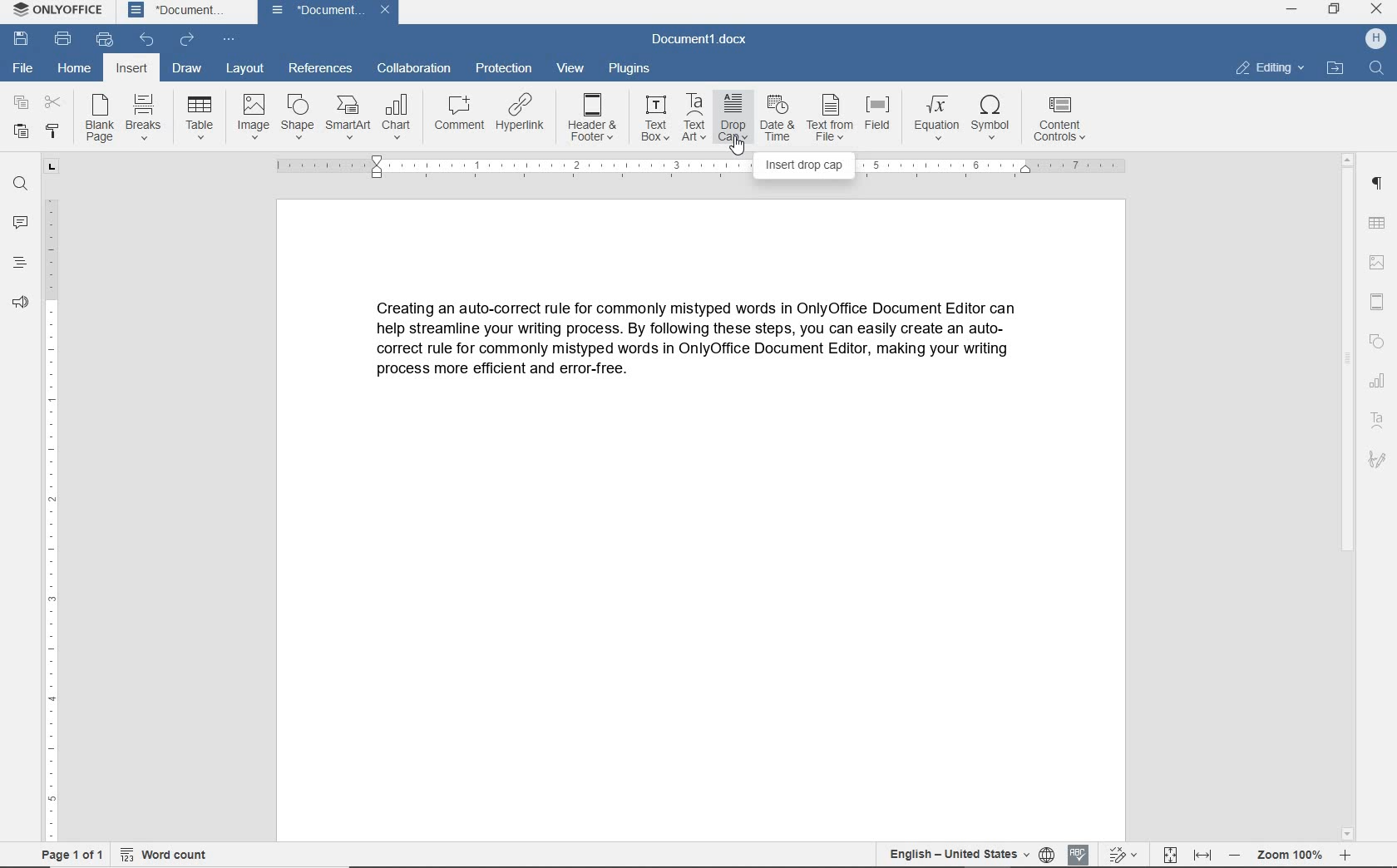 This screenshot has width=1397, height=868. Describe the element at coordinates (76, 67) in the screenshot. I see `home` at that location.